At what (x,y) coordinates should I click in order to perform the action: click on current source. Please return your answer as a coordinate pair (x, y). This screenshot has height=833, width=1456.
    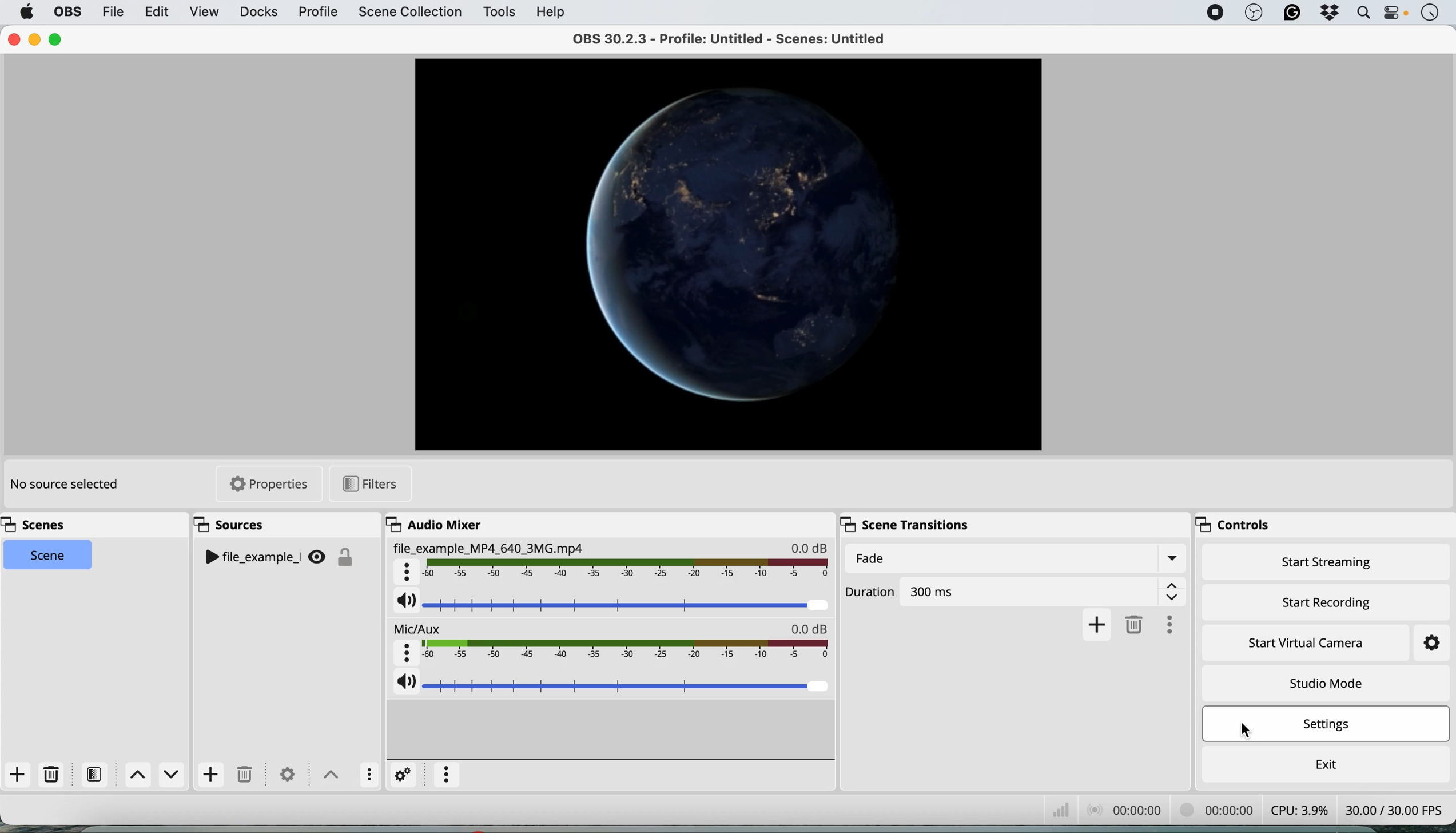
    Looking at the image, I should click on (729, 255).